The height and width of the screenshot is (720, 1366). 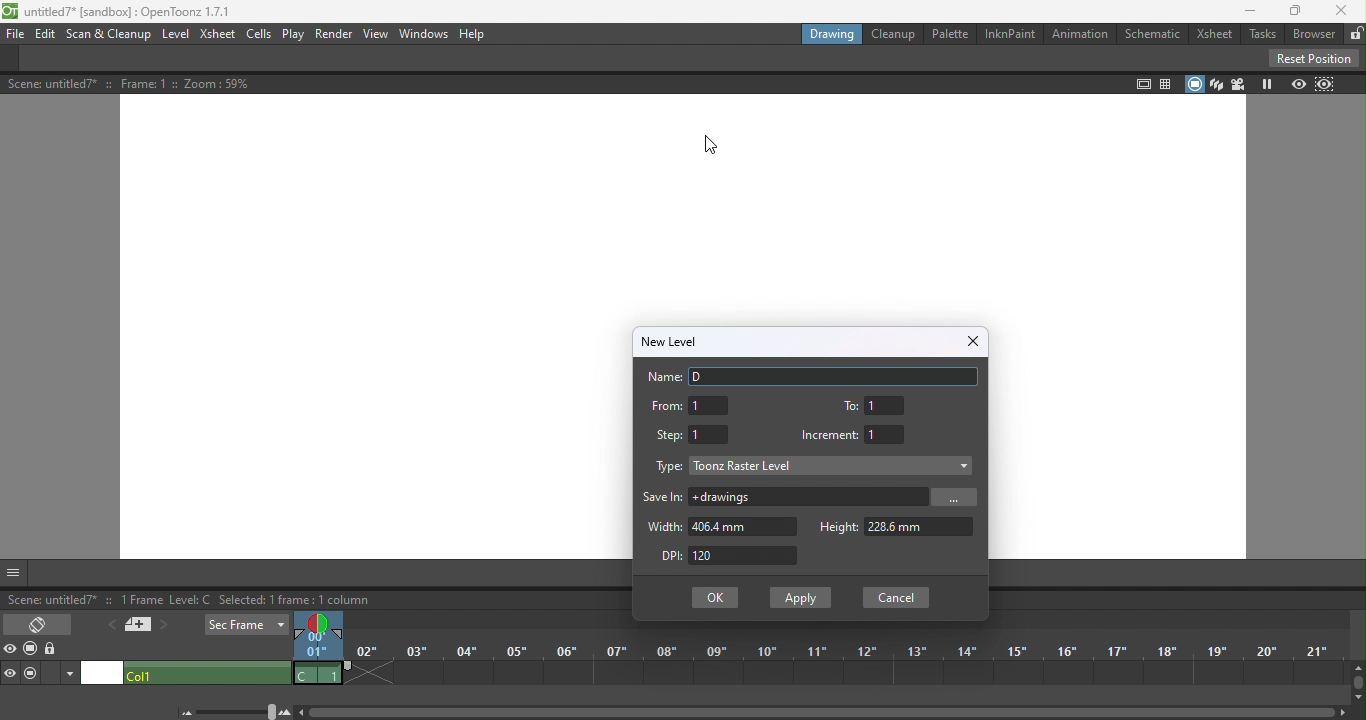 What do you see at coordinates (970, 341) in the screenshot?
I see `Close` at bounding box center [970, 341].